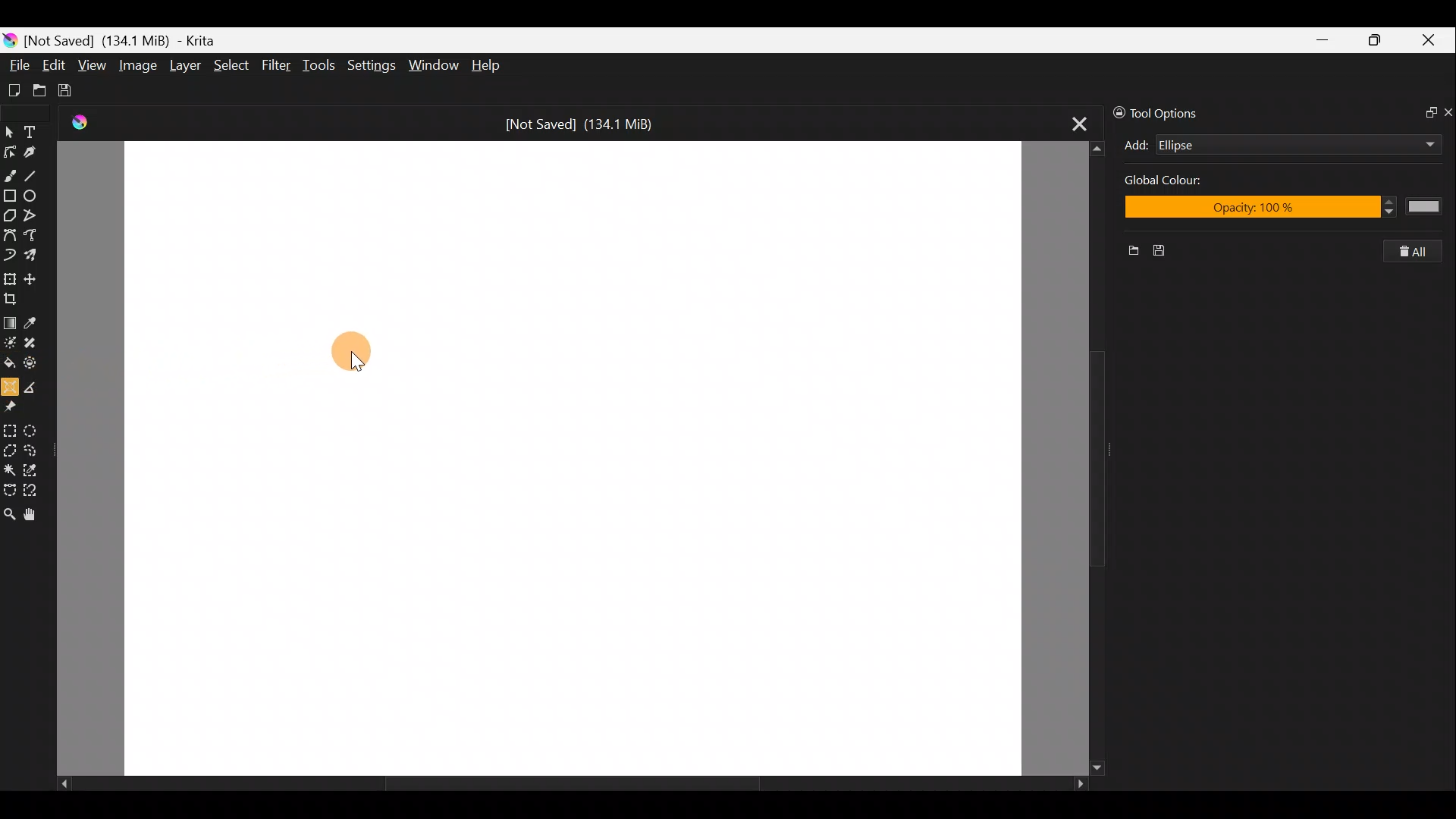 This screenshot has height=819, width=1456. I want to click on Float docker, so click(1424, 114).